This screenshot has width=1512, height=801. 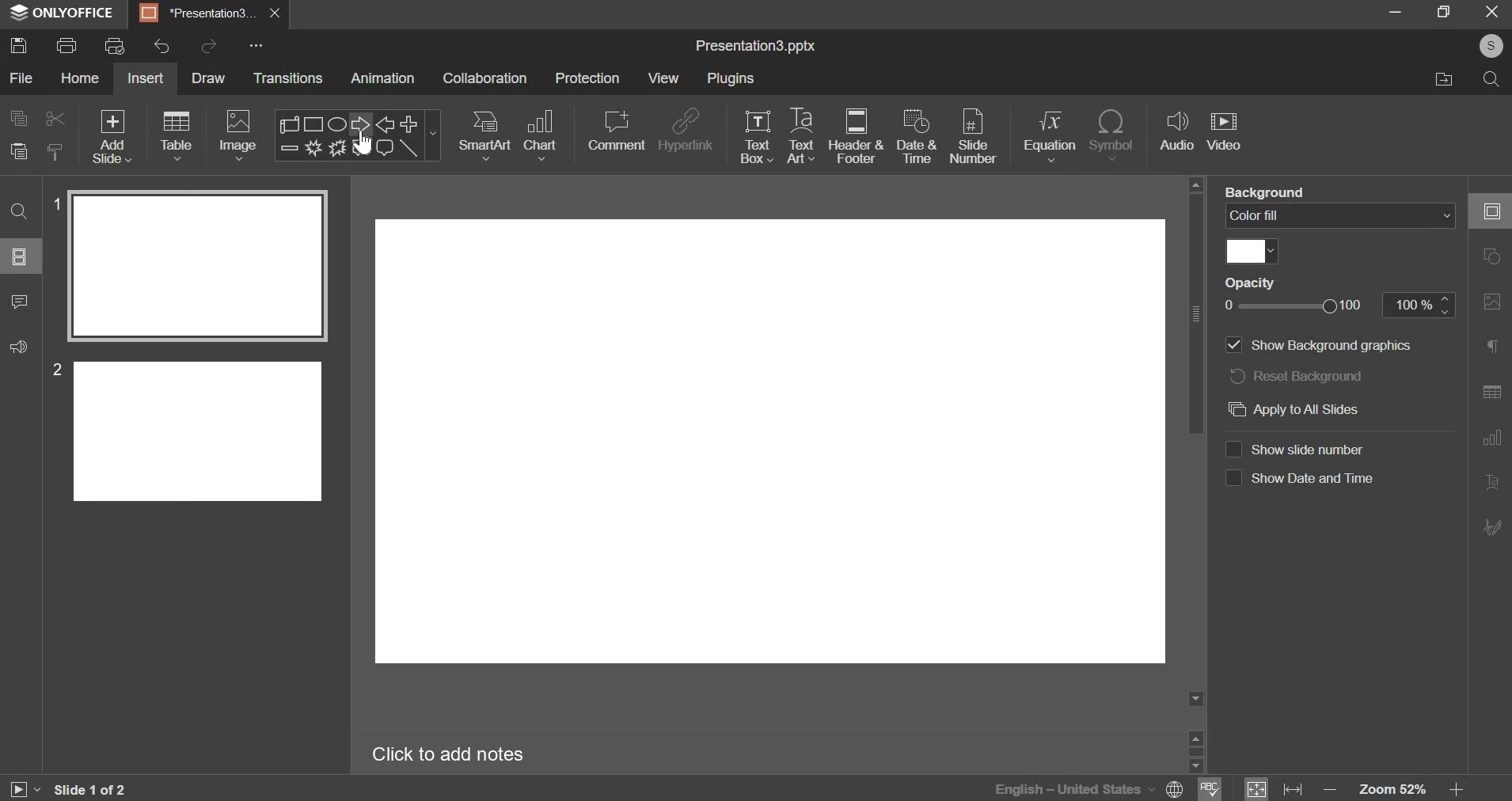 I want to click on hyperlink, so click(x=687, y=129).